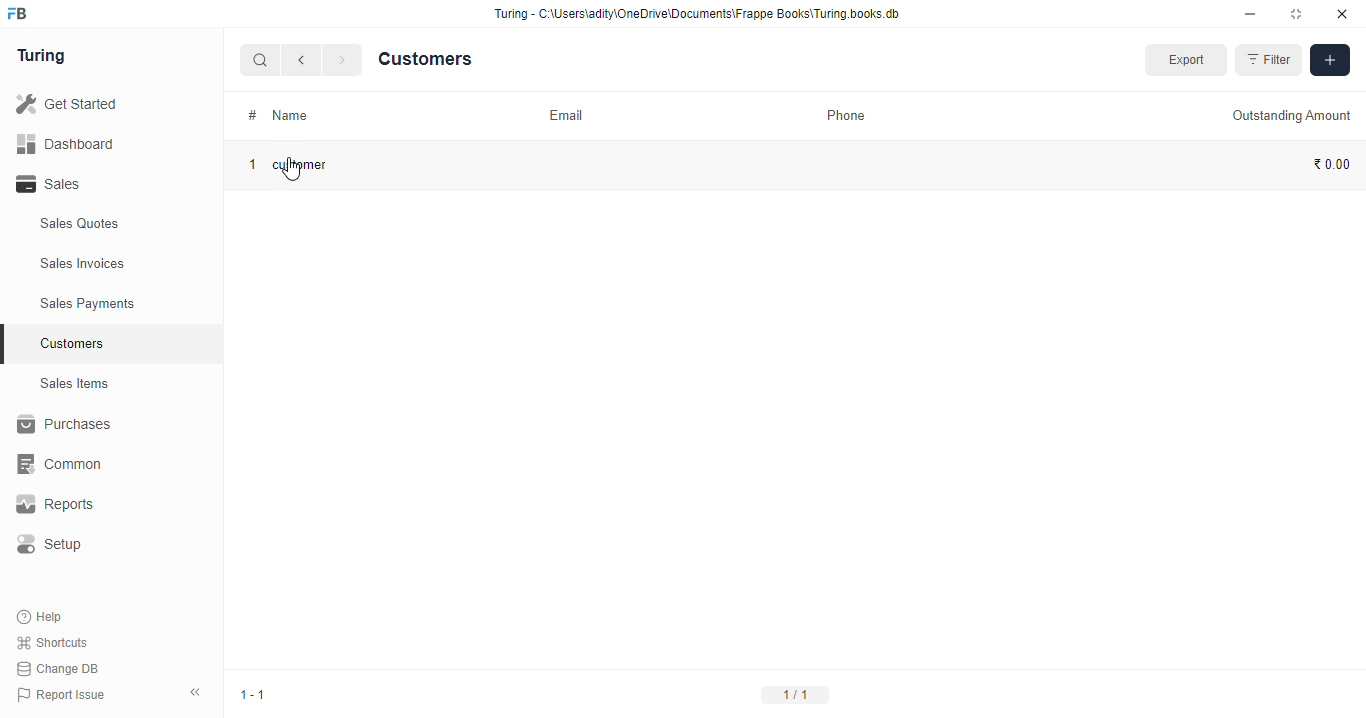 The image size is (1366, 718). Describe the element at coordinates (195, 692) in the screenshot. I see `collpase` at that location.